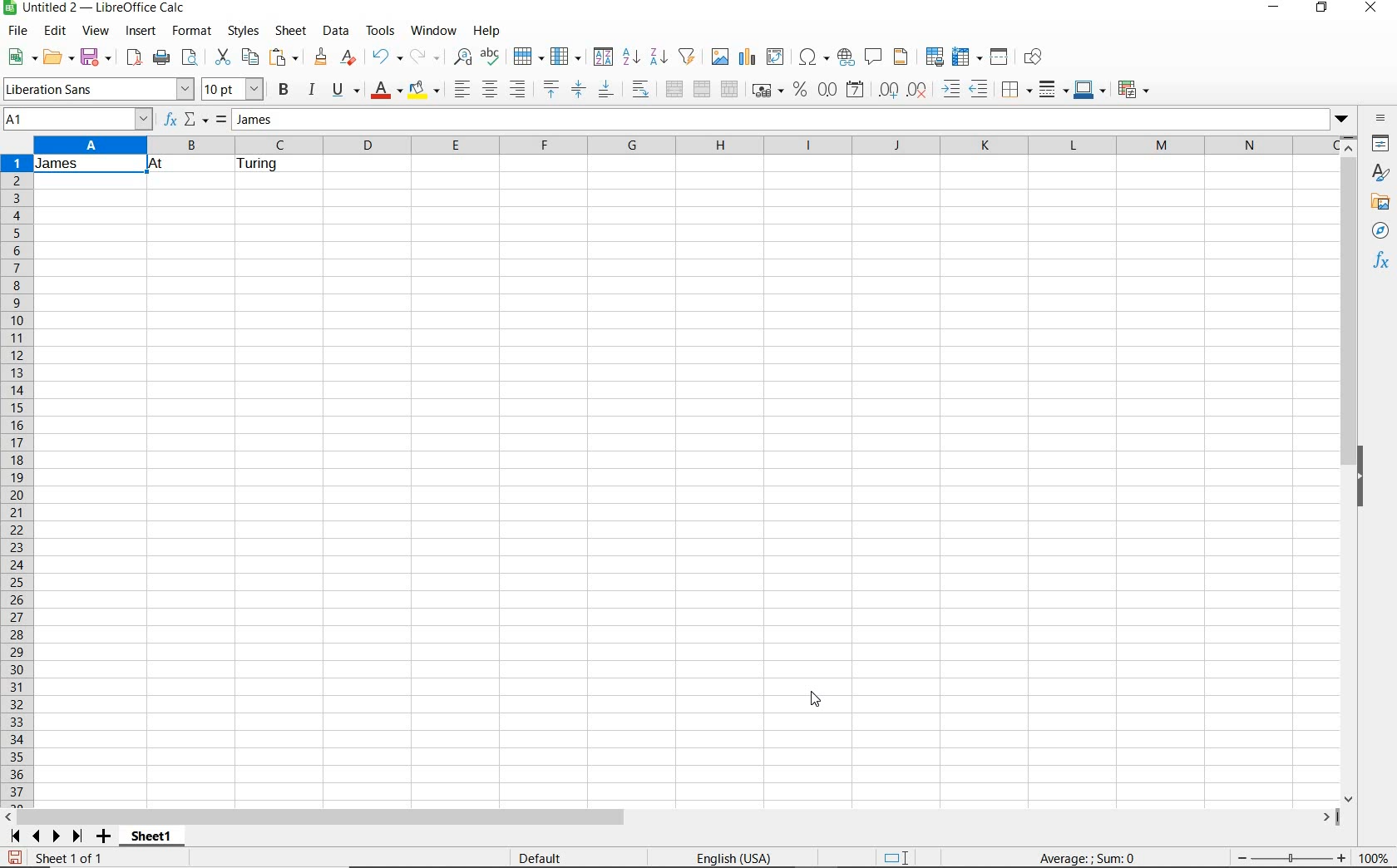 The width and height of the screenshot is (1397, 868). I want to click on background color, so click(425, 89).